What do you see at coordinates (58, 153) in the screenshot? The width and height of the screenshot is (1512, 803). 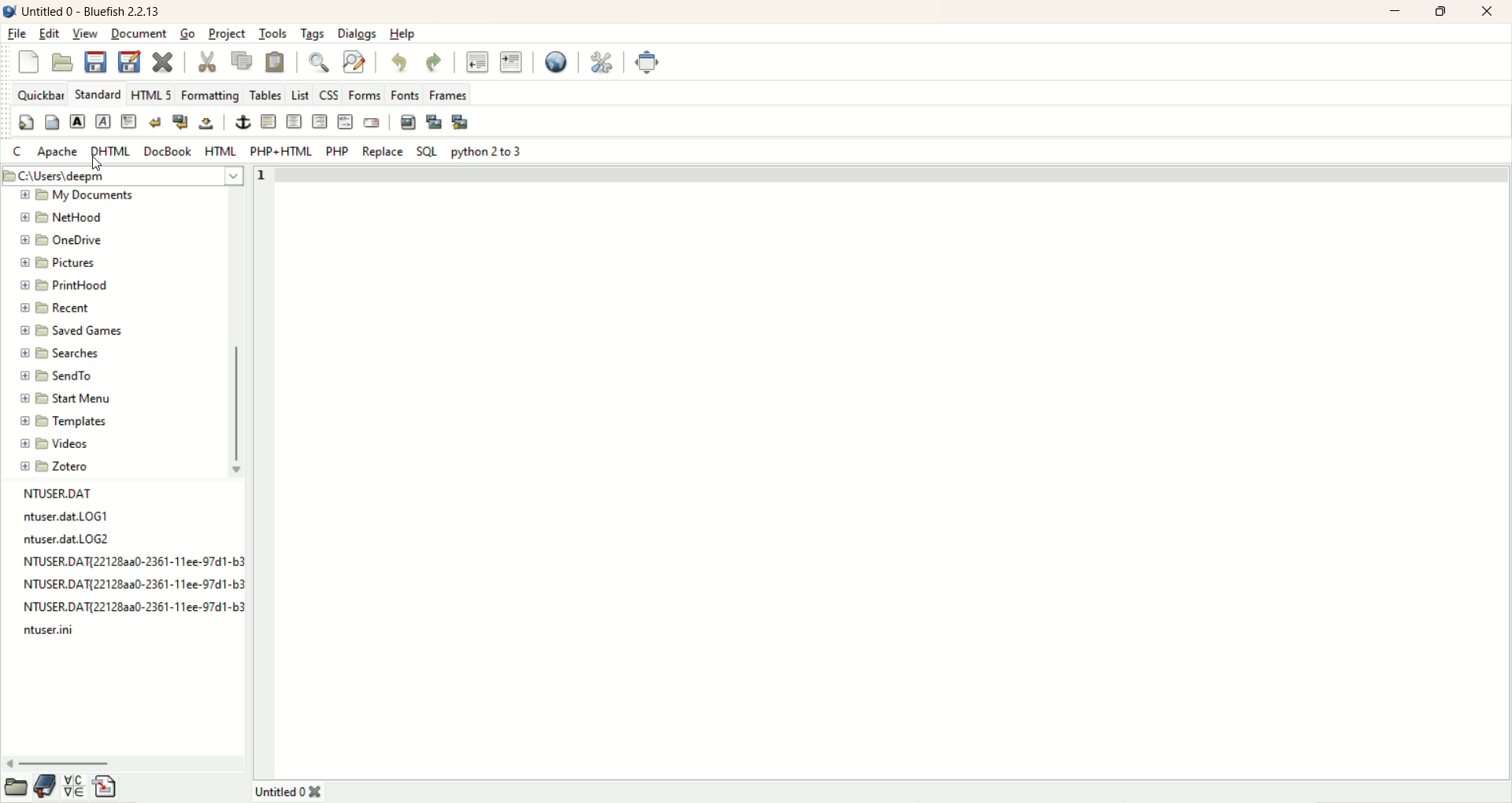 I see `apache` at bounding box center [58, 153].